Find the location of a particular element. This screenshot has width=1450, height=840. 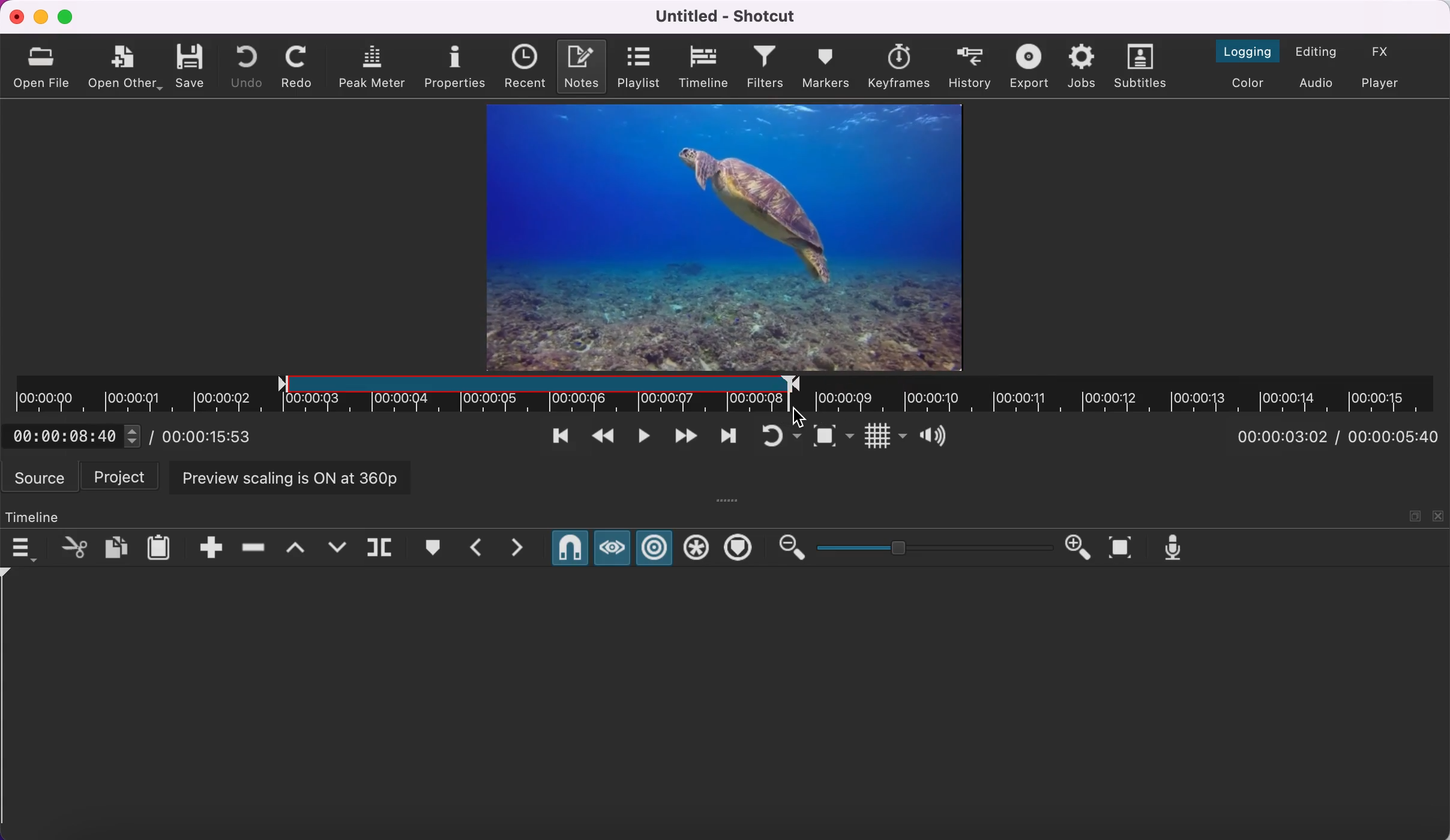

timeline is located at coordinates (703, 67).